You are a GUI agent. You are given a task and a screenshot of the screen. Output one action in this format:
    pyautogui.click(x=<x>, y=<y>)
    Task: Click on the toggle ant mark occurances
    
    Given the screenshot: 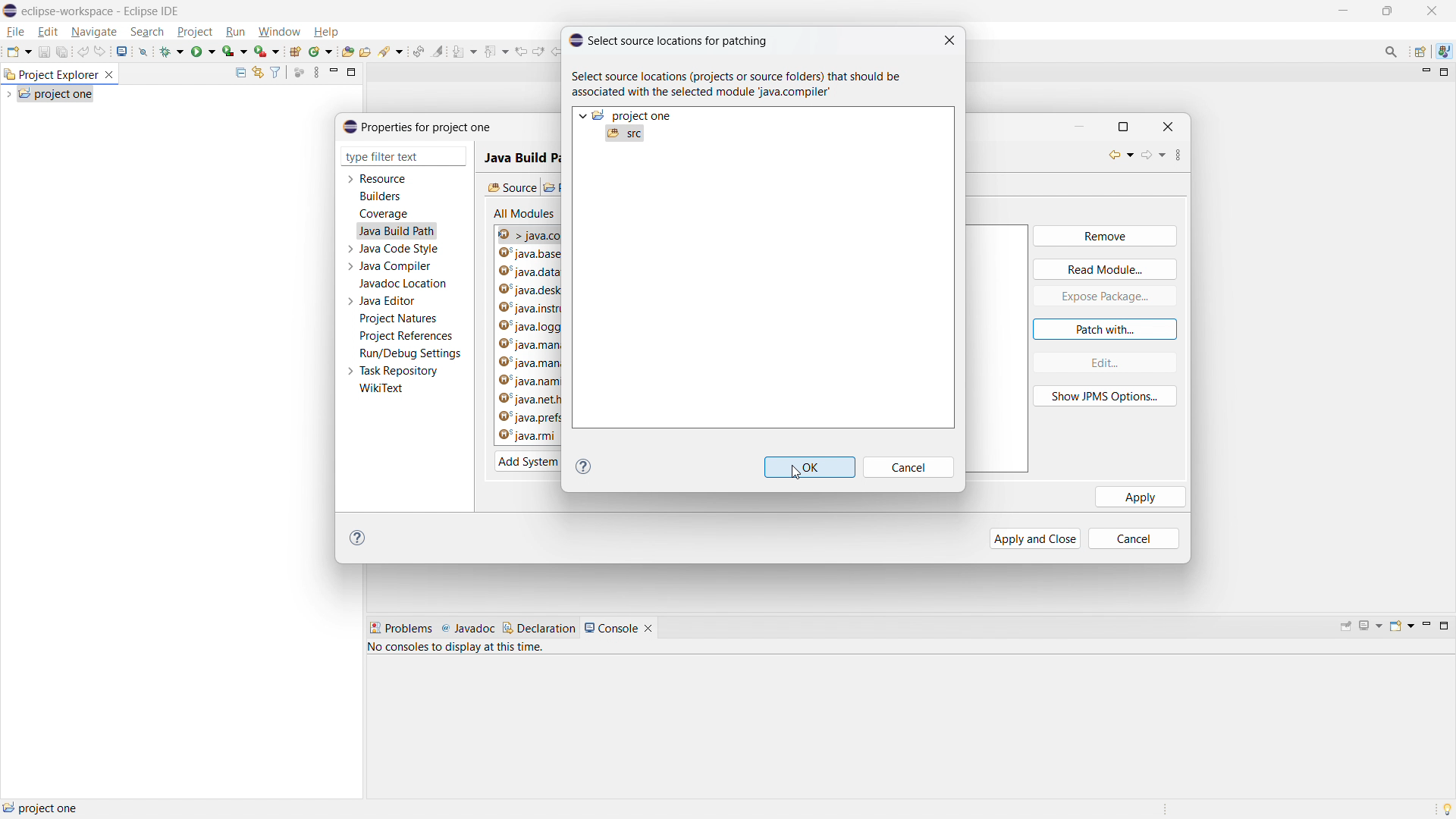 What is the action you would take?
    pyautogui.click(x=438, y=51)
    